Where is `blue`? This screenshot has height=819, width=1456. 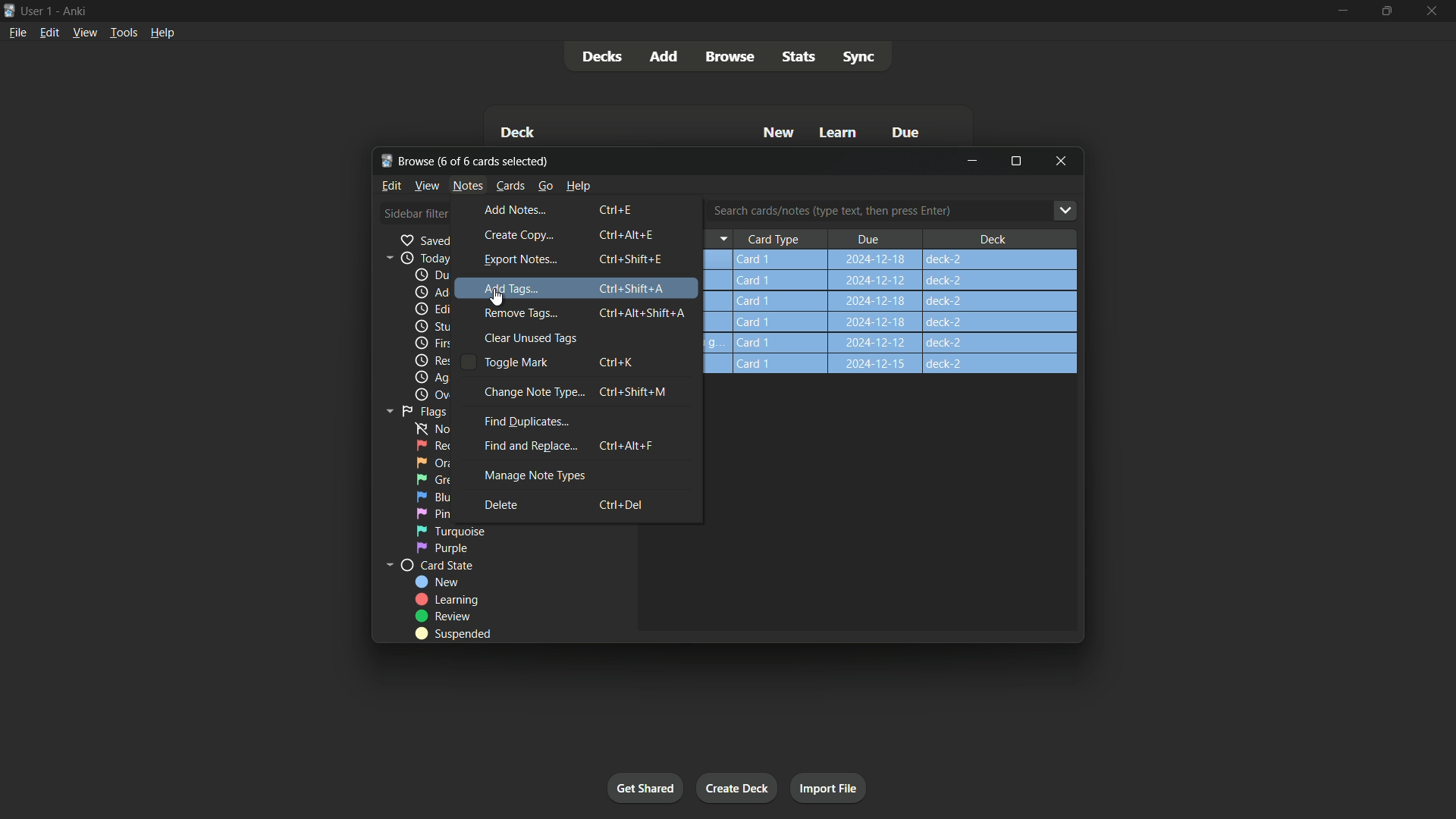 blue is located at coordinates (436, 497).